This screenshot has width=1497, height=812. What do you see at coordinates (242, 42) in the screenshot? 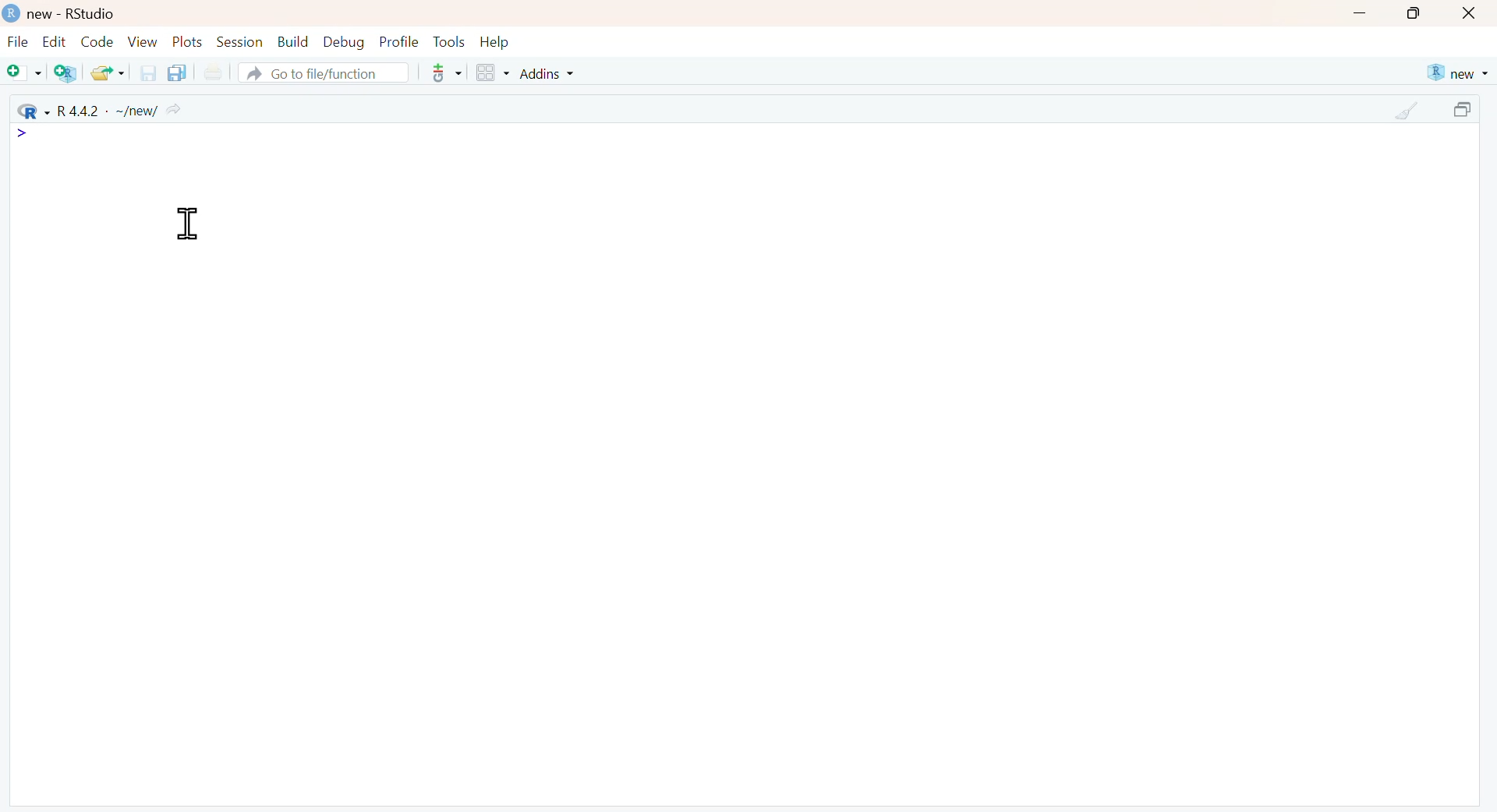
I see `Session` at bounding box center [242, 42].